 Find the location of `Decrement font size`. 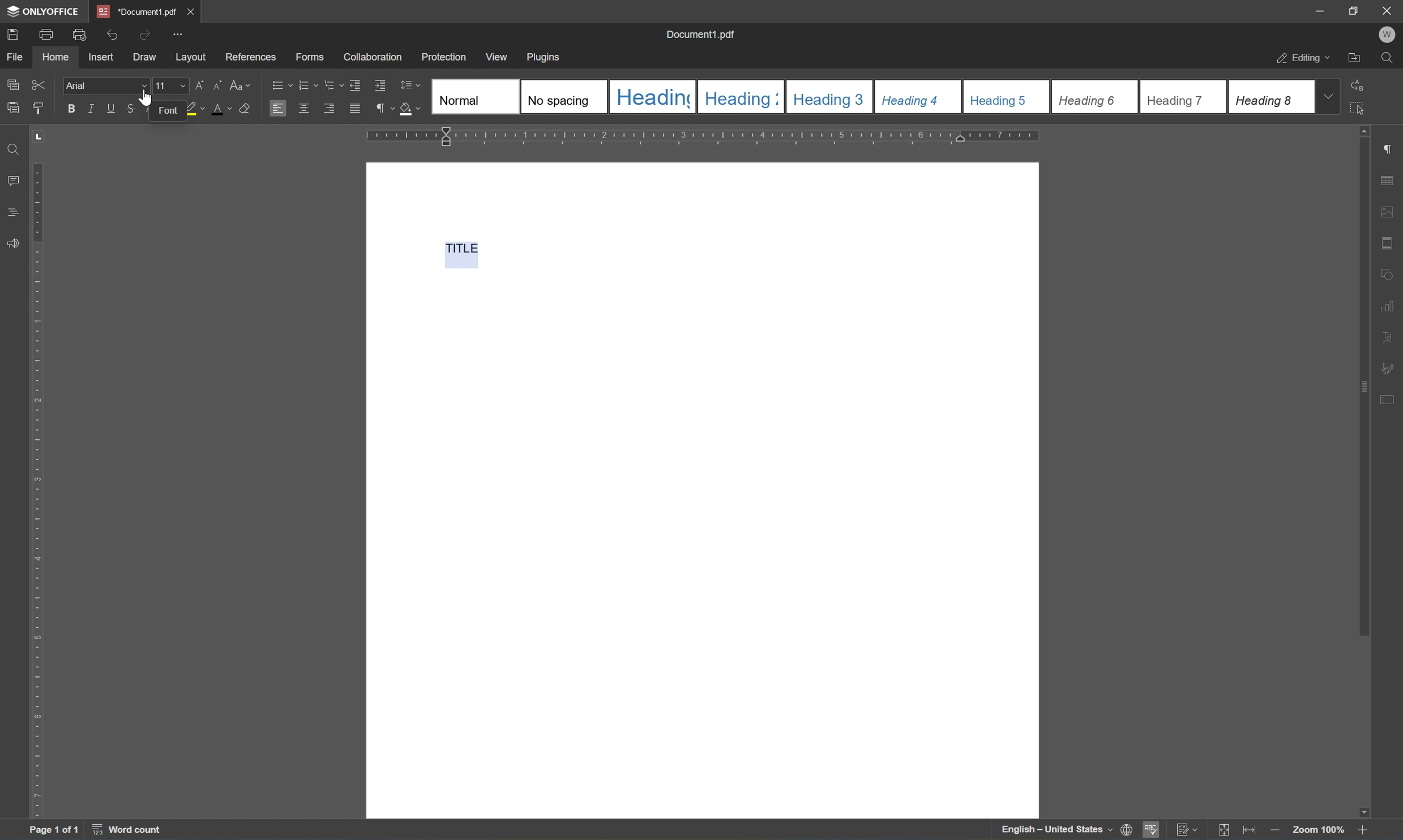

Decrement font size is located at coordinates (217, 86).